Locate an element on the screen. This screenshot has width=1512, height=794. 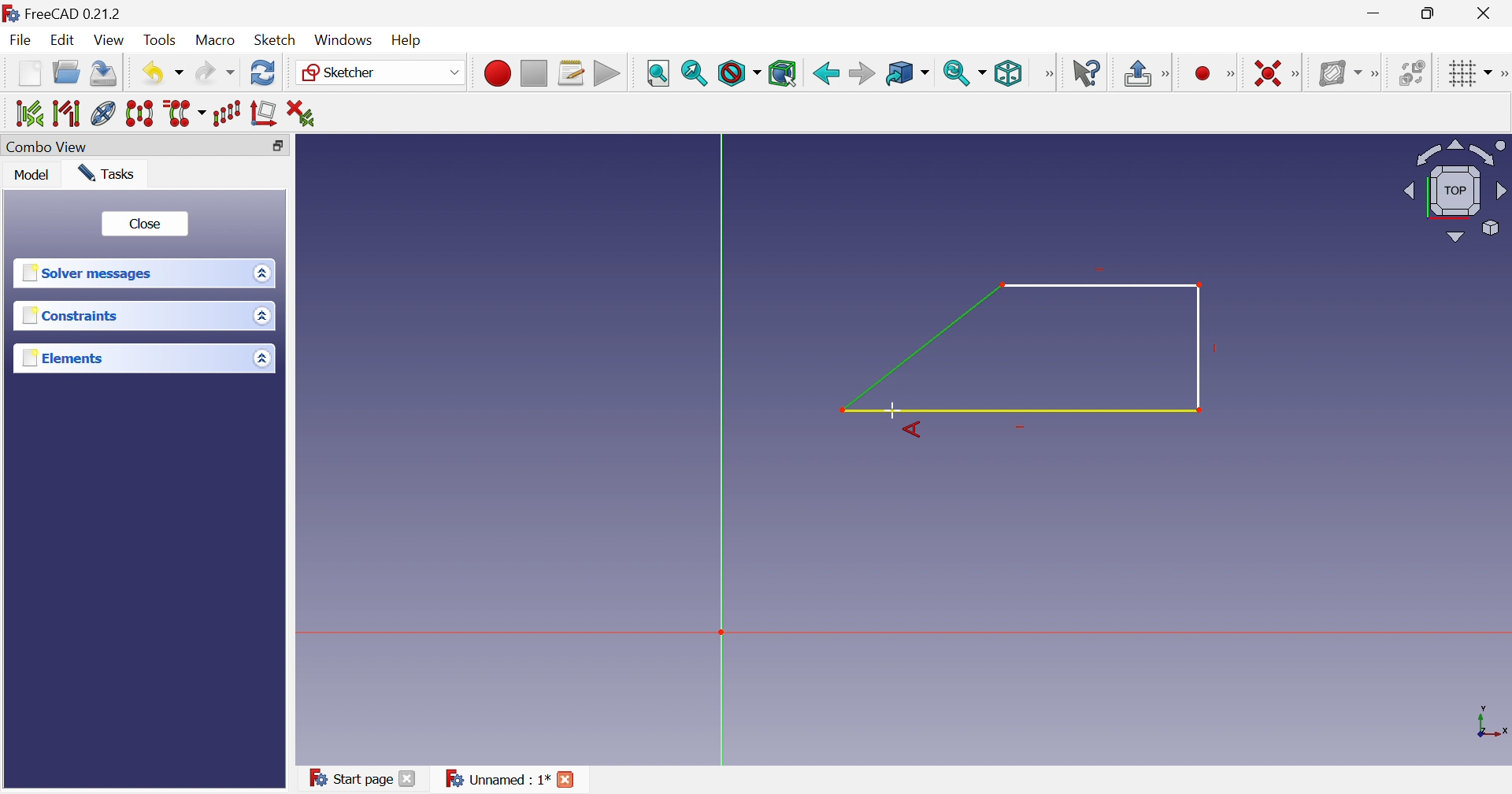
Tasks is located at coordinates (110, 173).